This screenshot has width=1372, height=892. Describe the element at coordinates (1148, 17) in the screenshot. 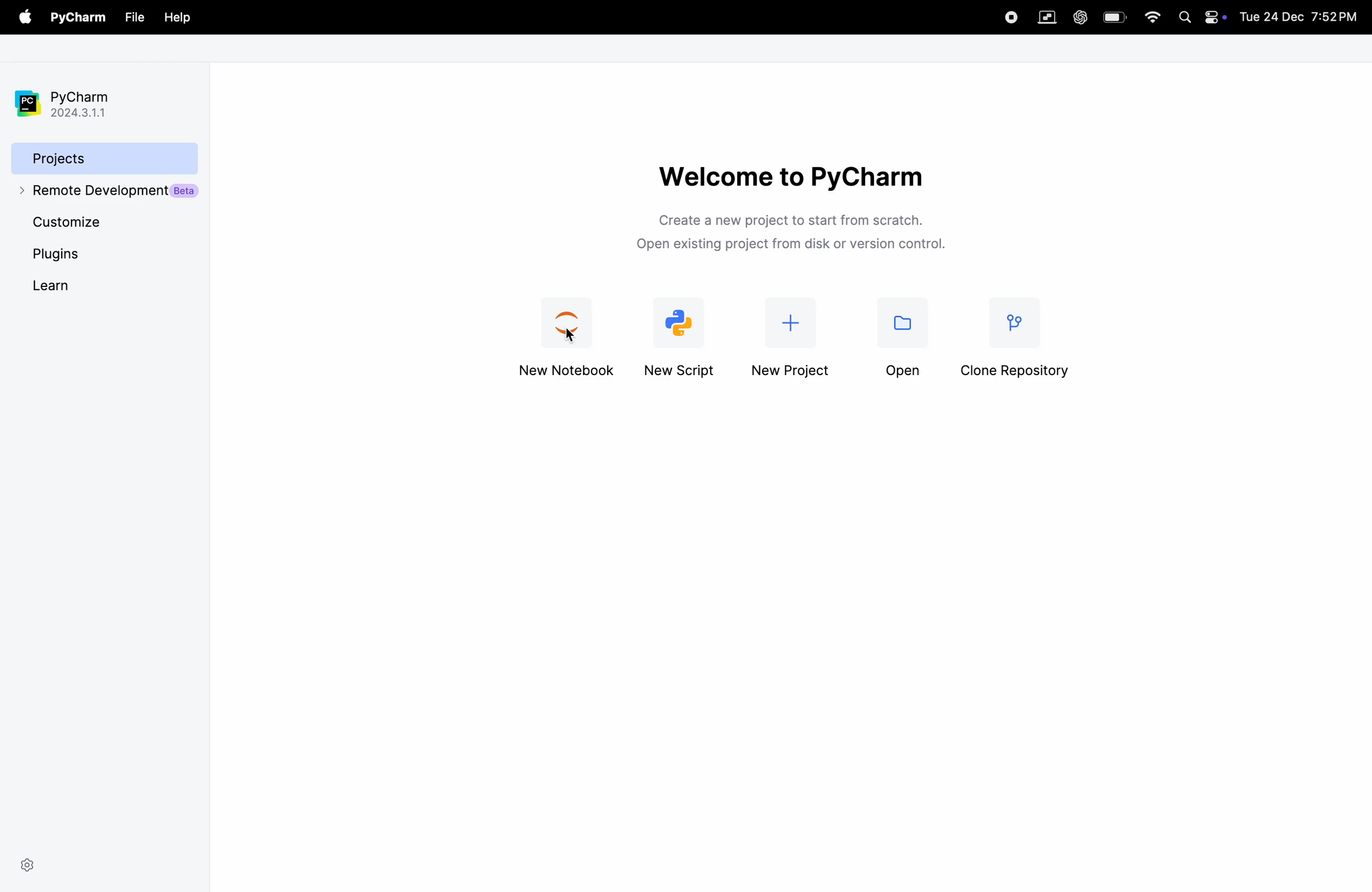

I see `wifi` at that location.